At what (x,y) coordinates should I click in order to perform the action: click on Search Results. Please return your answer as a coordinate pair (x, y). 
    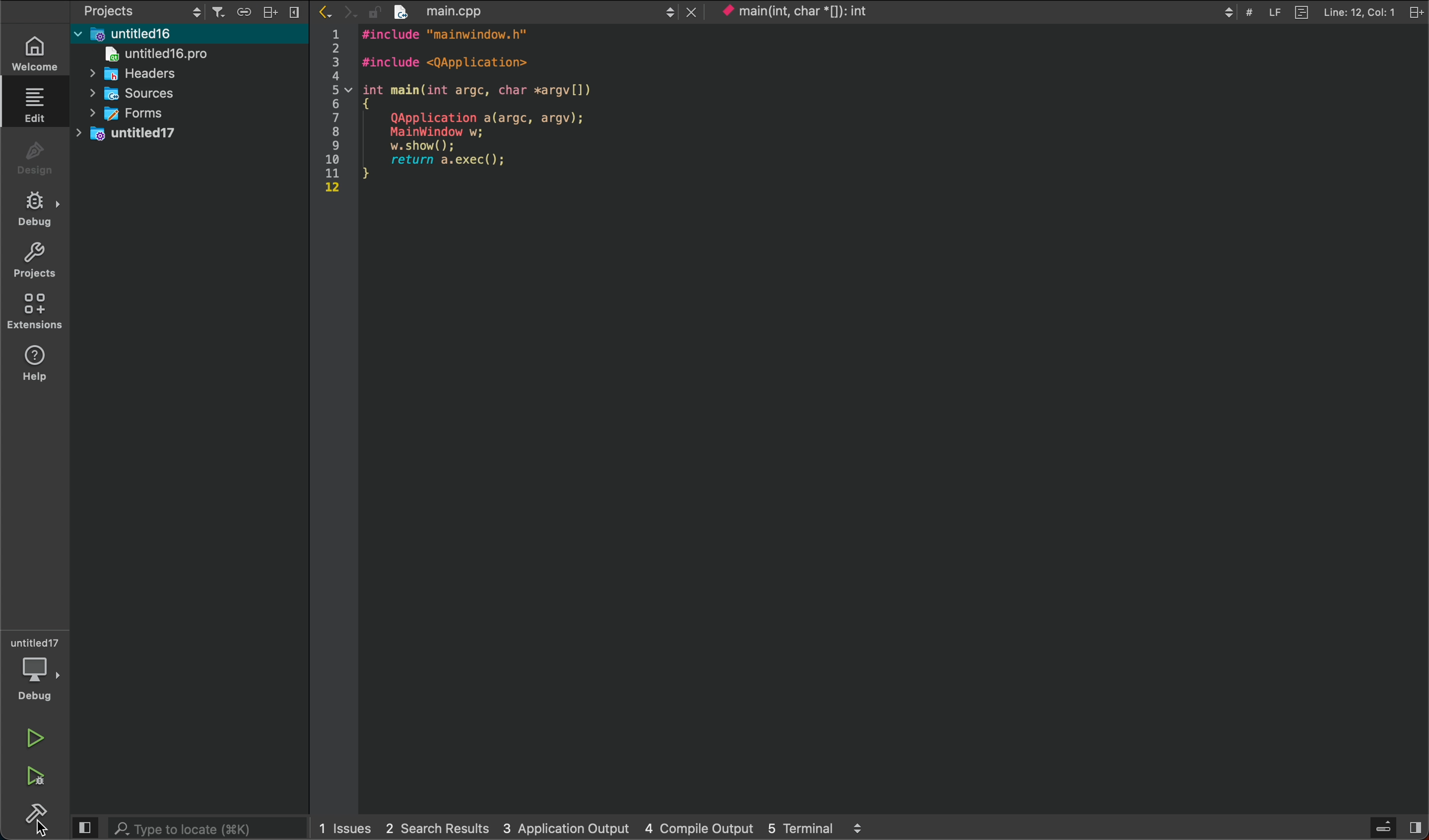
    Looking at the image, I should click on (434, 827).